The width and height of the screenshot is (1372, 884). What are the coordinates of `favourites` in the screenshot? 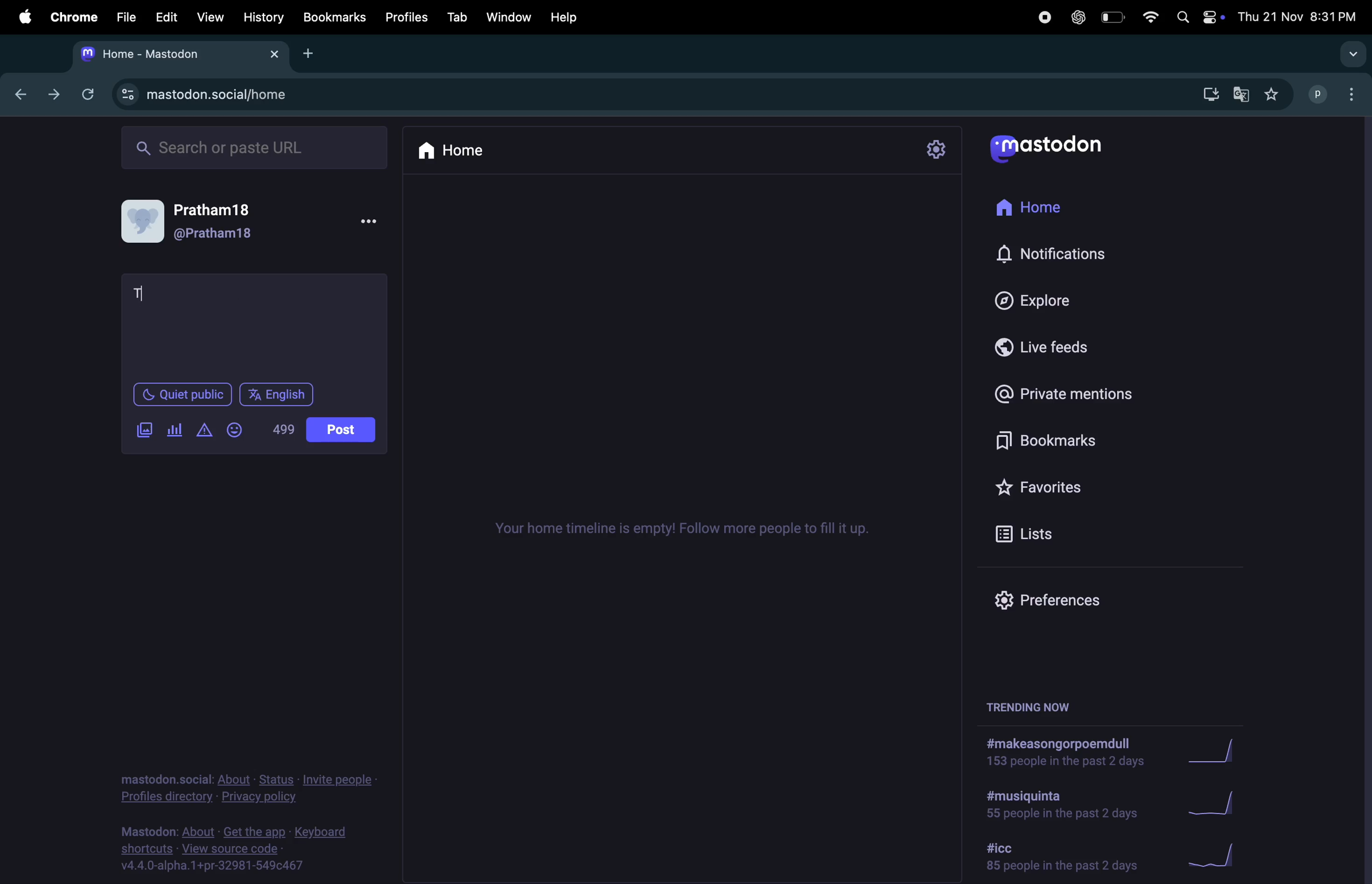 It's located at (1274, 94).